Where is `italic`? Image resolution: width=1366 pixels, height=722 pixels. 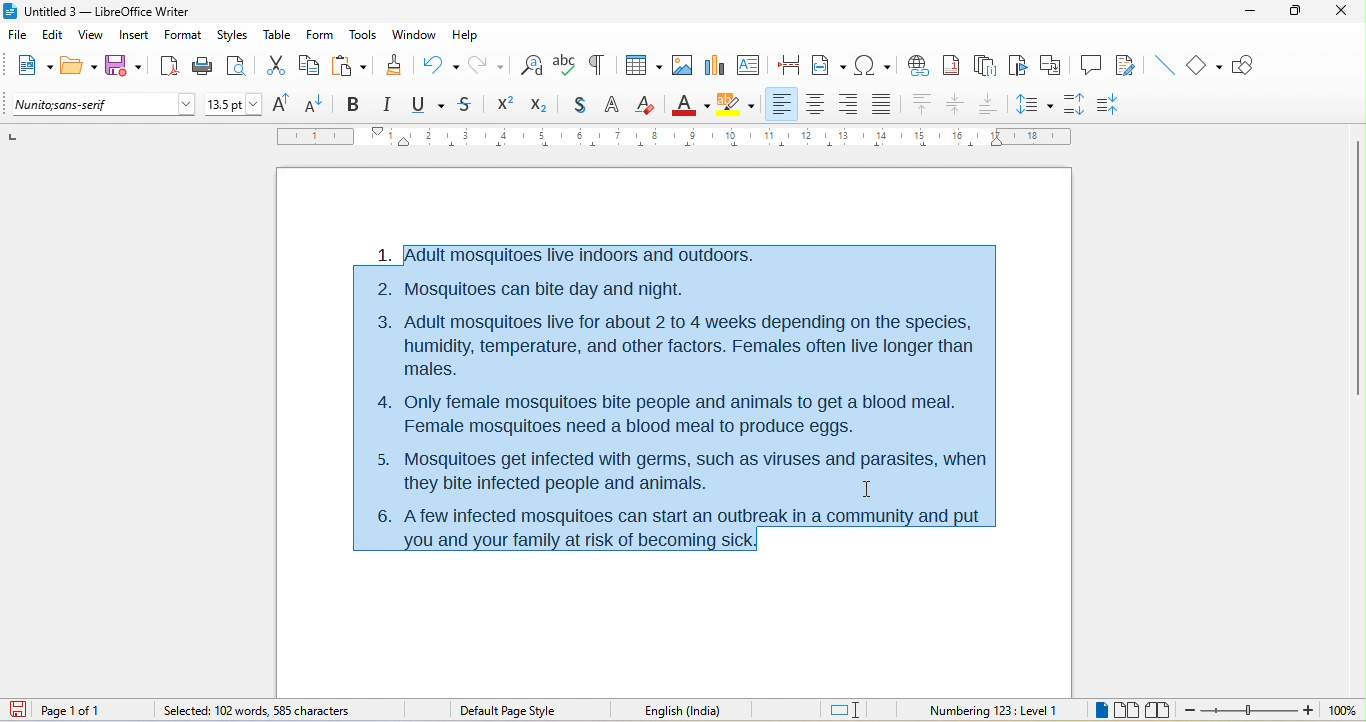
italic is located at coordinates (391, 105).